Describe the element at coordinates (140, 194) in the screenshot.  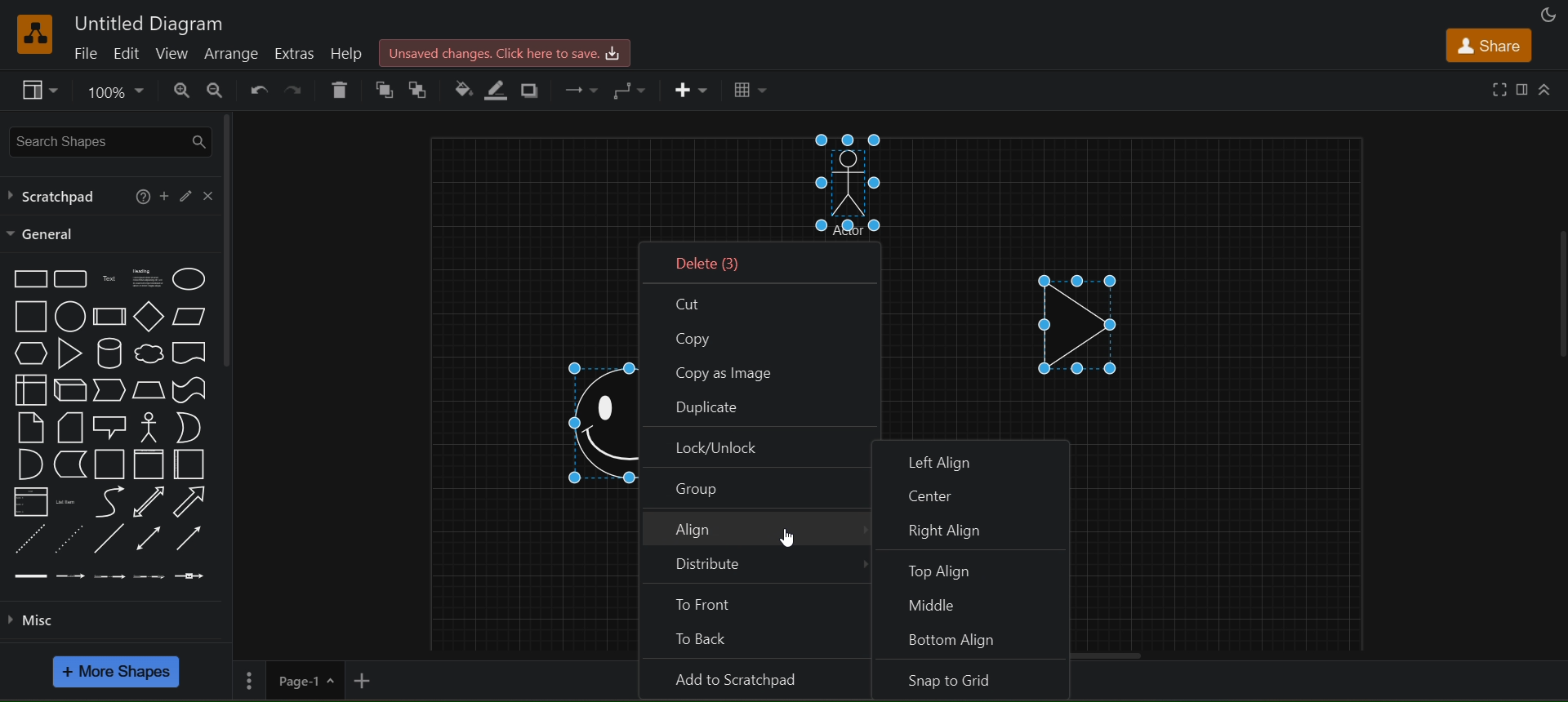
I see `help` at that location.